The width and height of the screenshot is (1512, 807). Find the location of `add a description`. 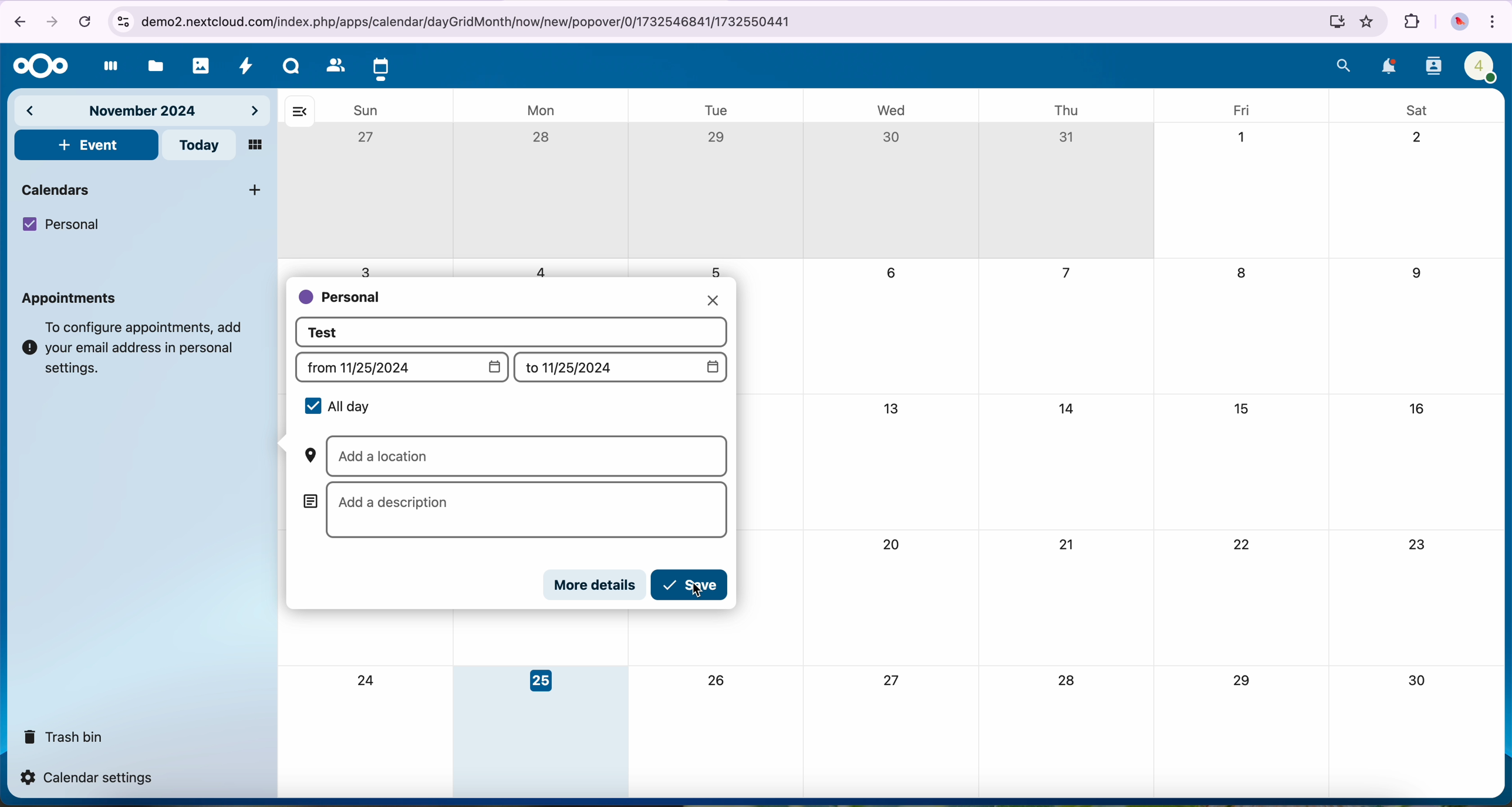

add a description is located at coordinates (516, 511).